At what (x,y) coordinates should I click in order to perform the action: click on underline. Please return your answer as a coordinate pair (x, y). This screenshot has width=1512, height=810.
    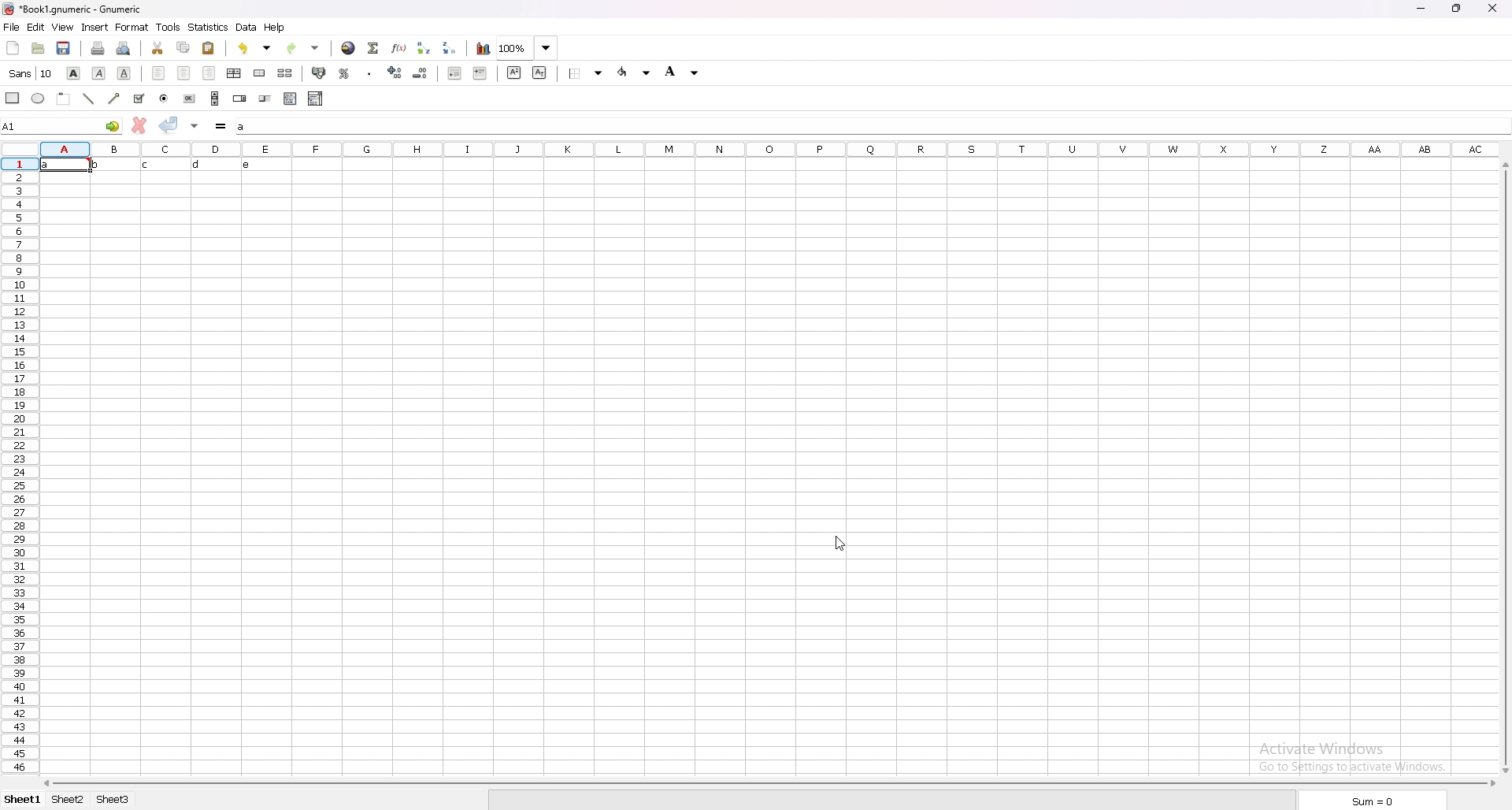
    Looking at the image, I should click on (124, 73).